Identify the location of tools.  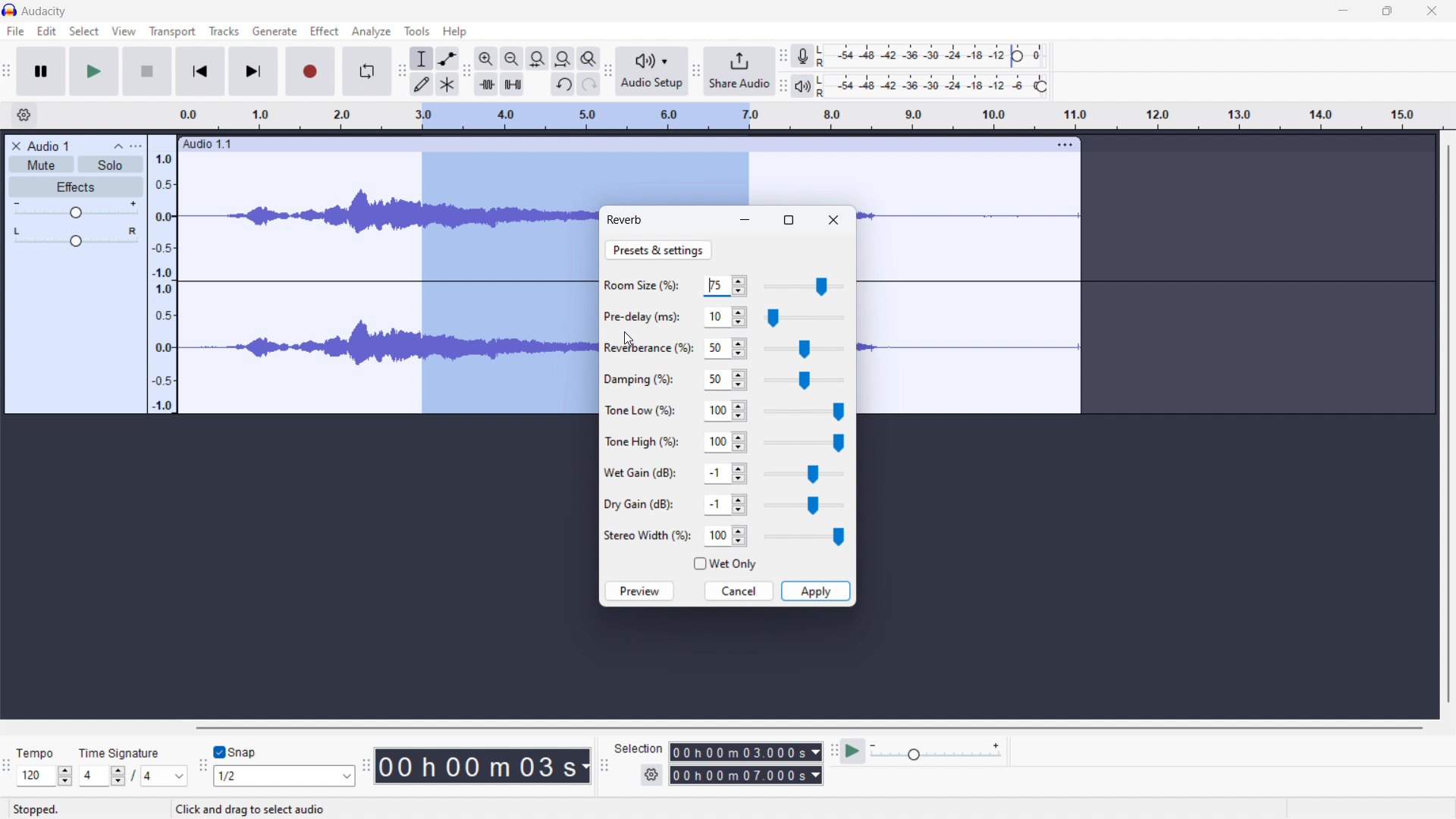
(418, 31).